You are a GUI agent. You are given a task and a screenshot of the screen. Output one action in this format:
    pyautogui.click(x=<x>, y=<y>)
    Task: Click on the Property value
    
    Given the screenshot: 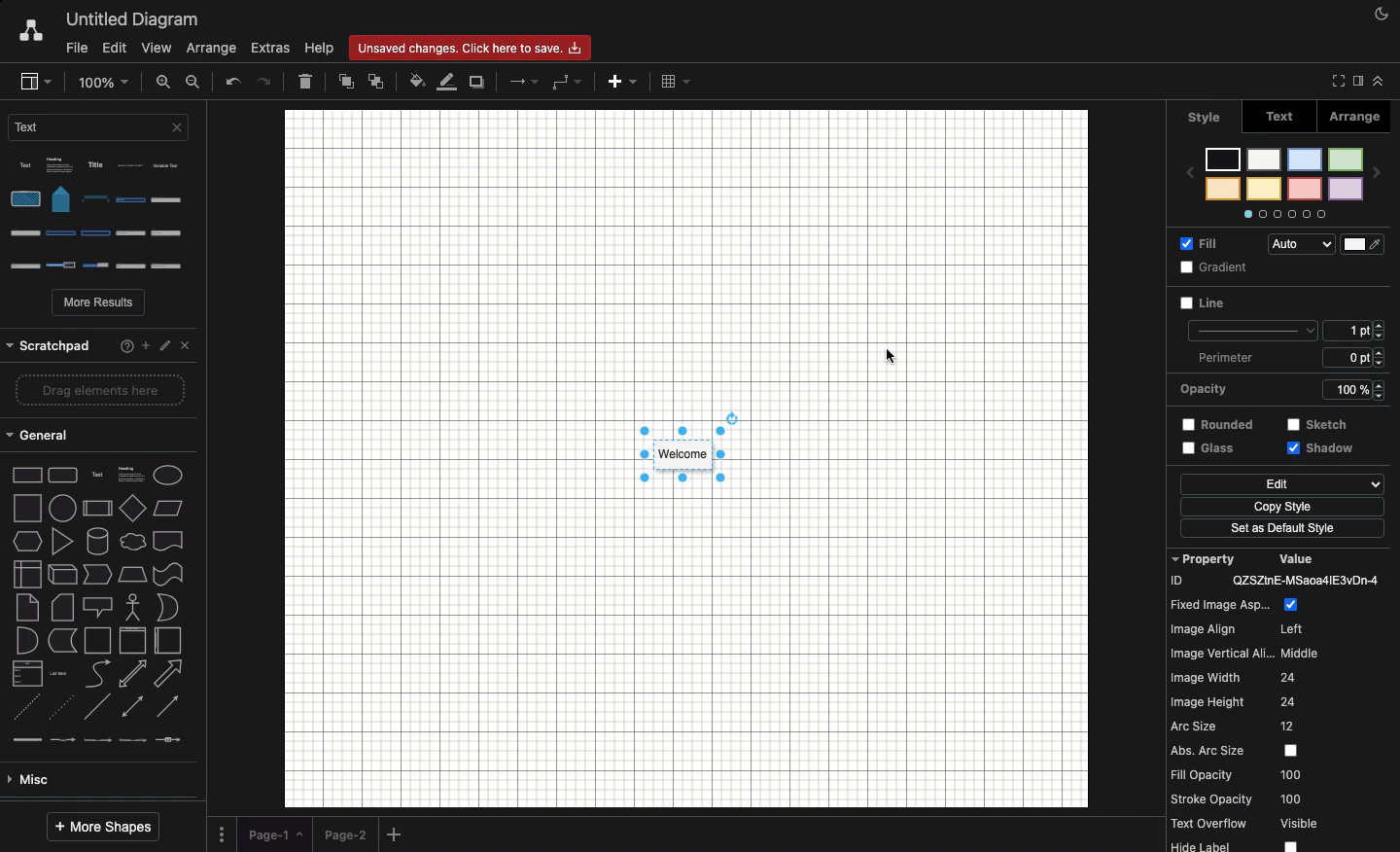 What is the action you would take?
    pyautogui.click(x=1283, y=697)
    